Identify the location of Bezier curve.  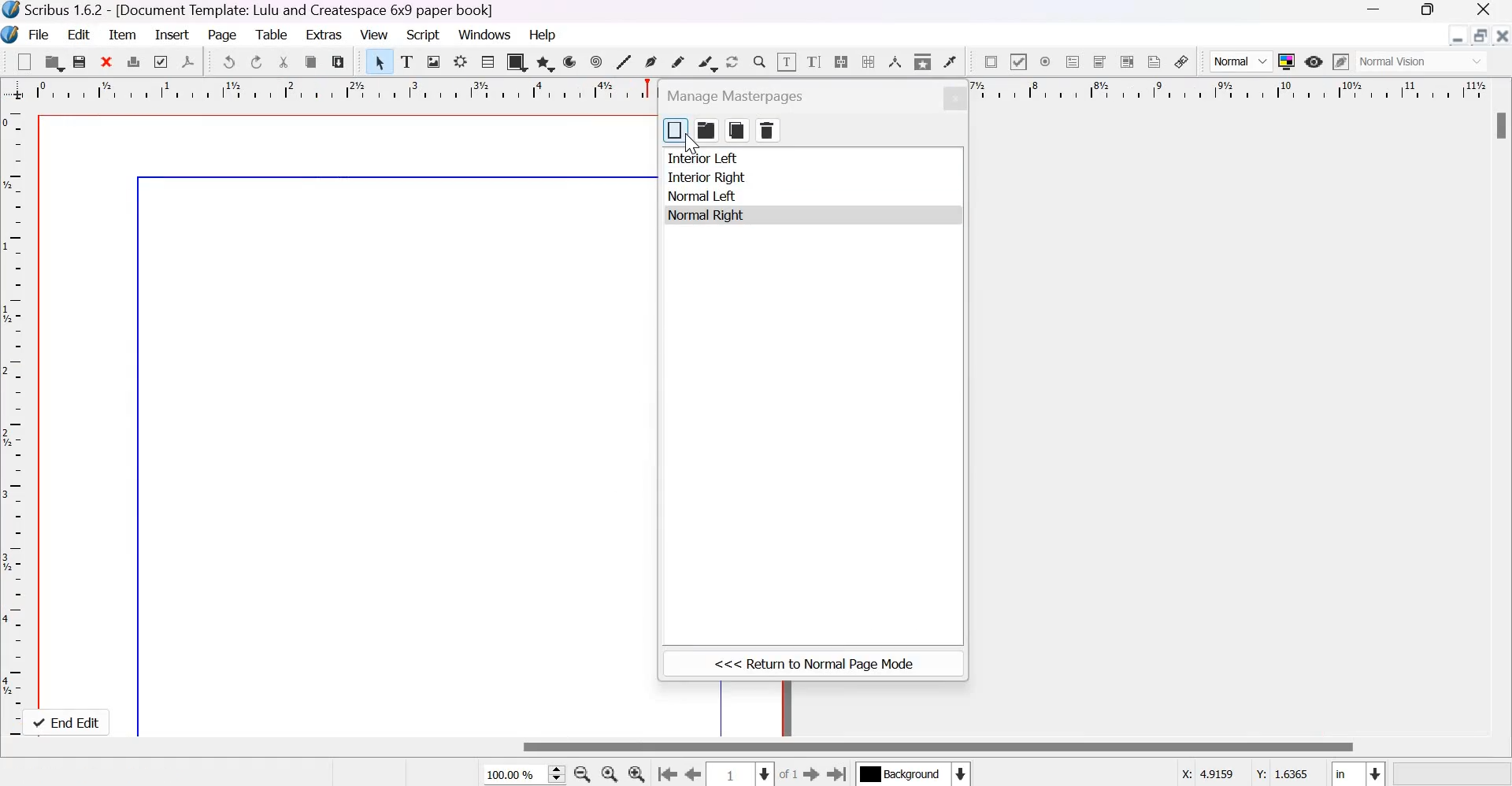
(651, 63).